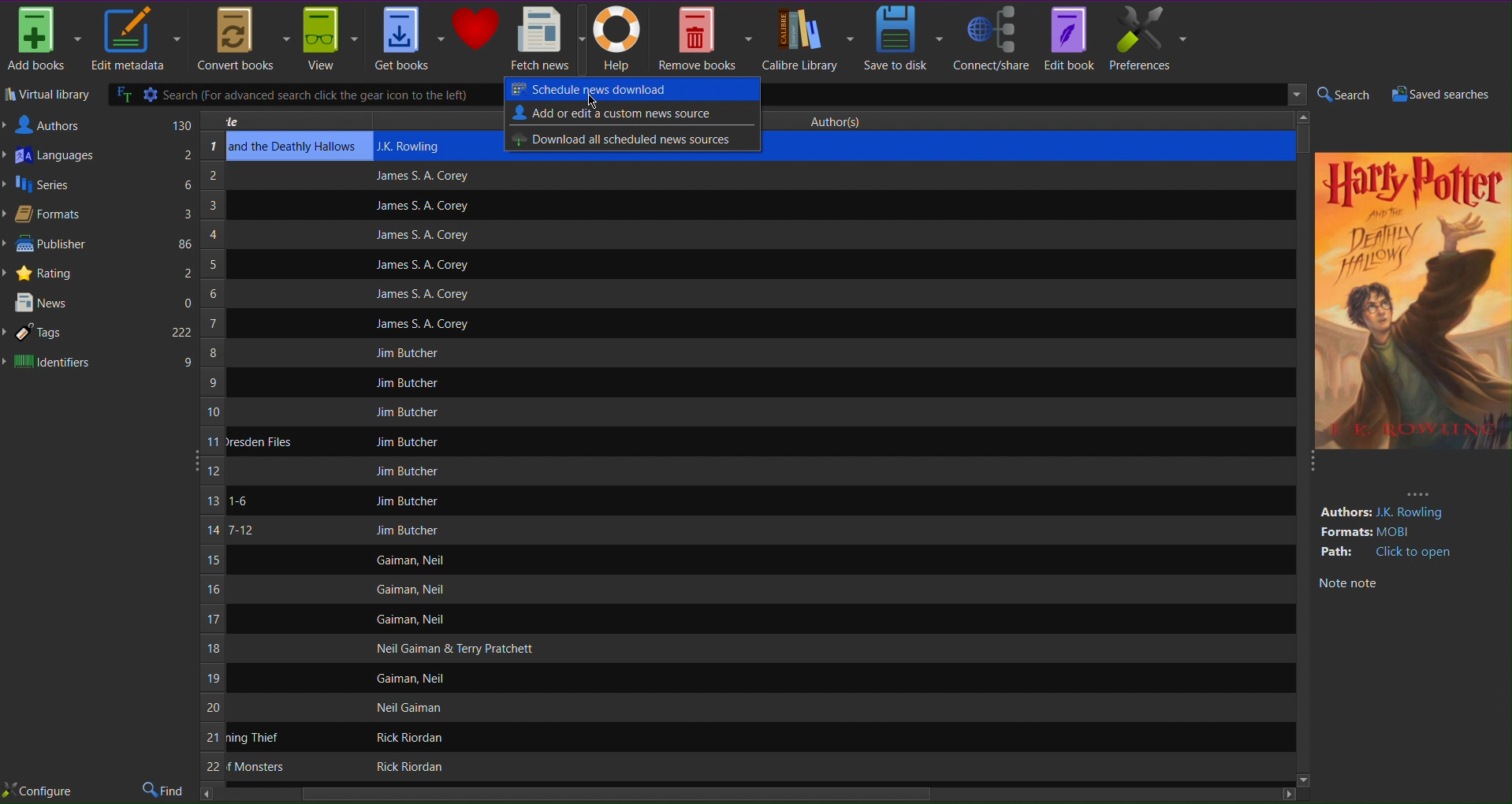 This screenshot has height=804, width=1512. I want to click on Rick Riordan, so click(404, 737).